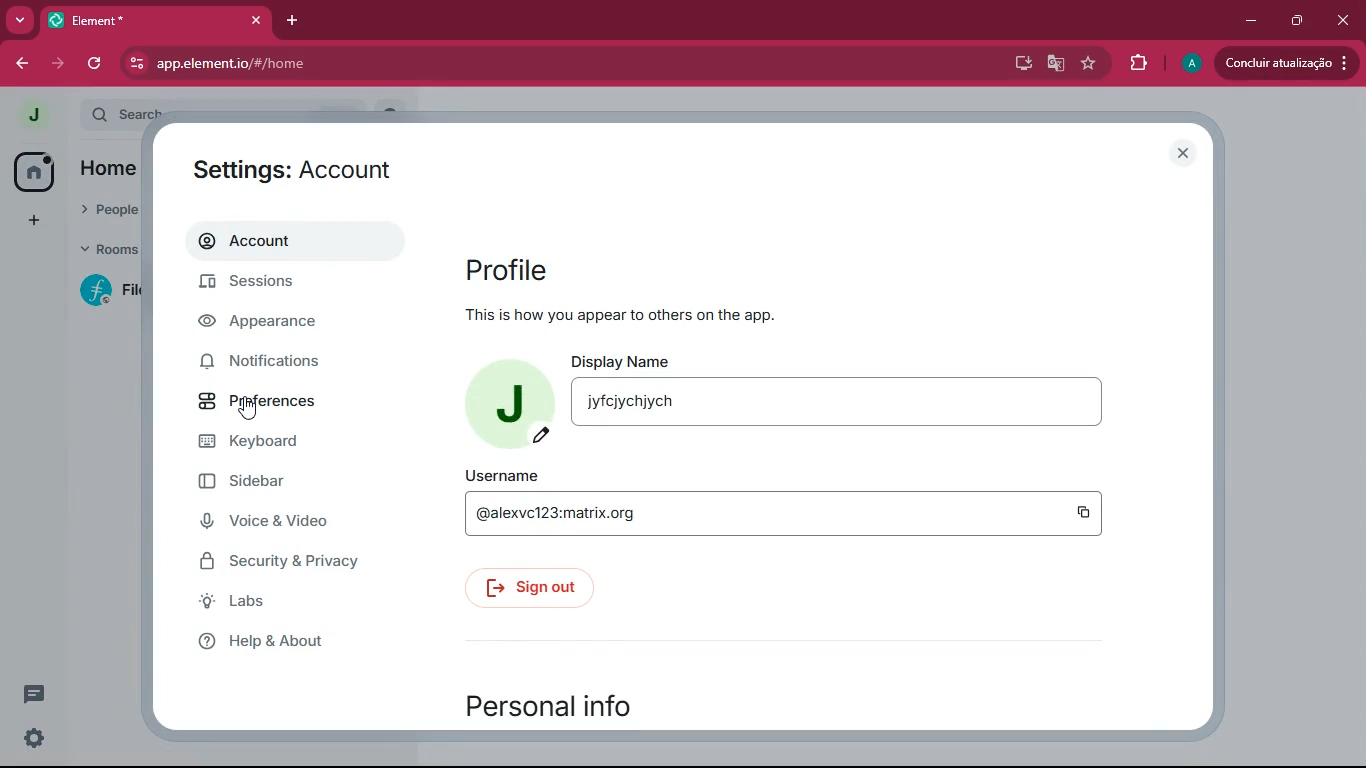  What do you see at coordinates (256, 20) in the screenshot?
I see `close tab` at bounding box center [256, 20].